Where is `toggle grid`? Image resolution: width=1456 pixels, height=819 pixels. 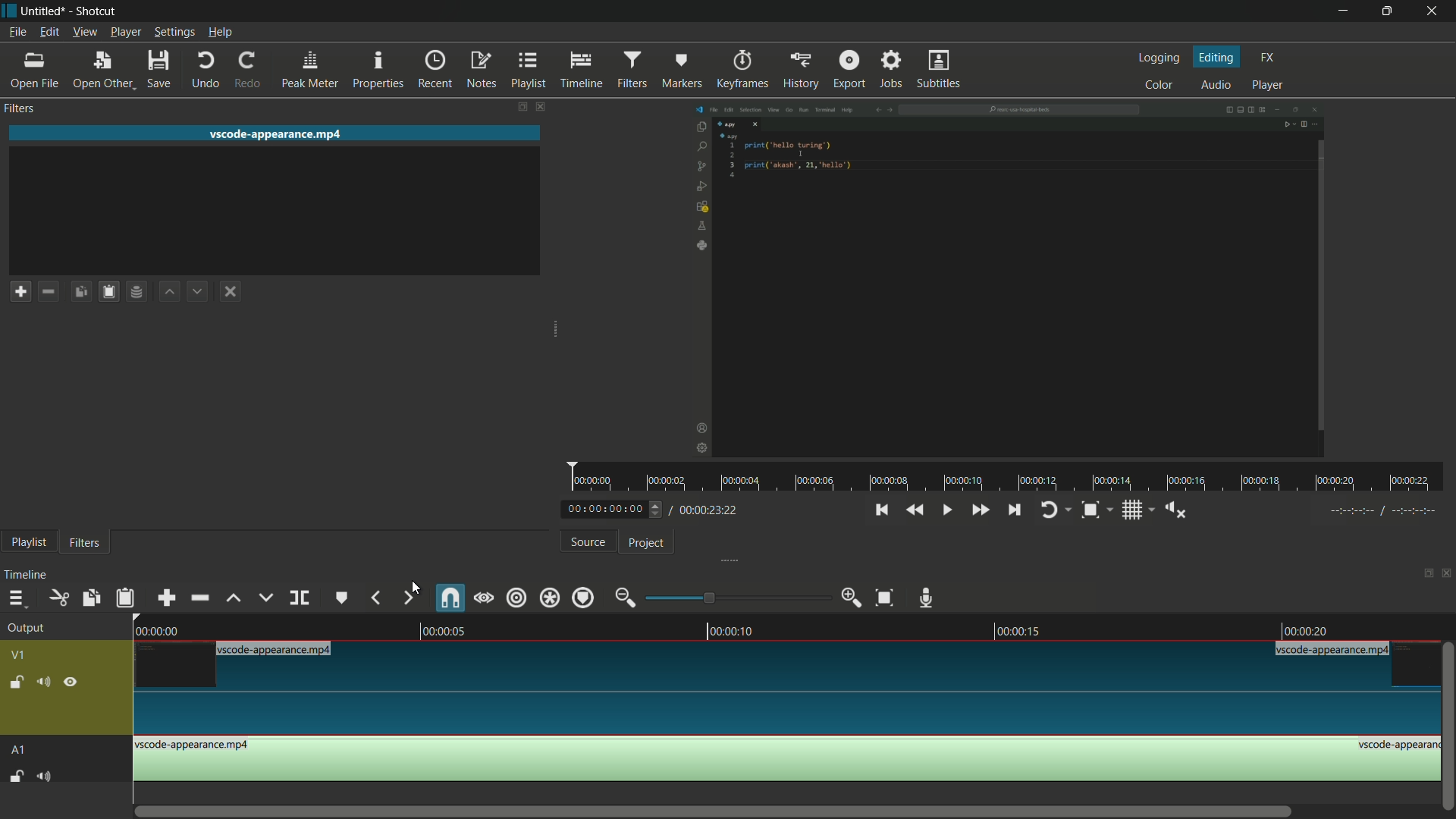 toggle grid is located at coordinates (1131, 510).